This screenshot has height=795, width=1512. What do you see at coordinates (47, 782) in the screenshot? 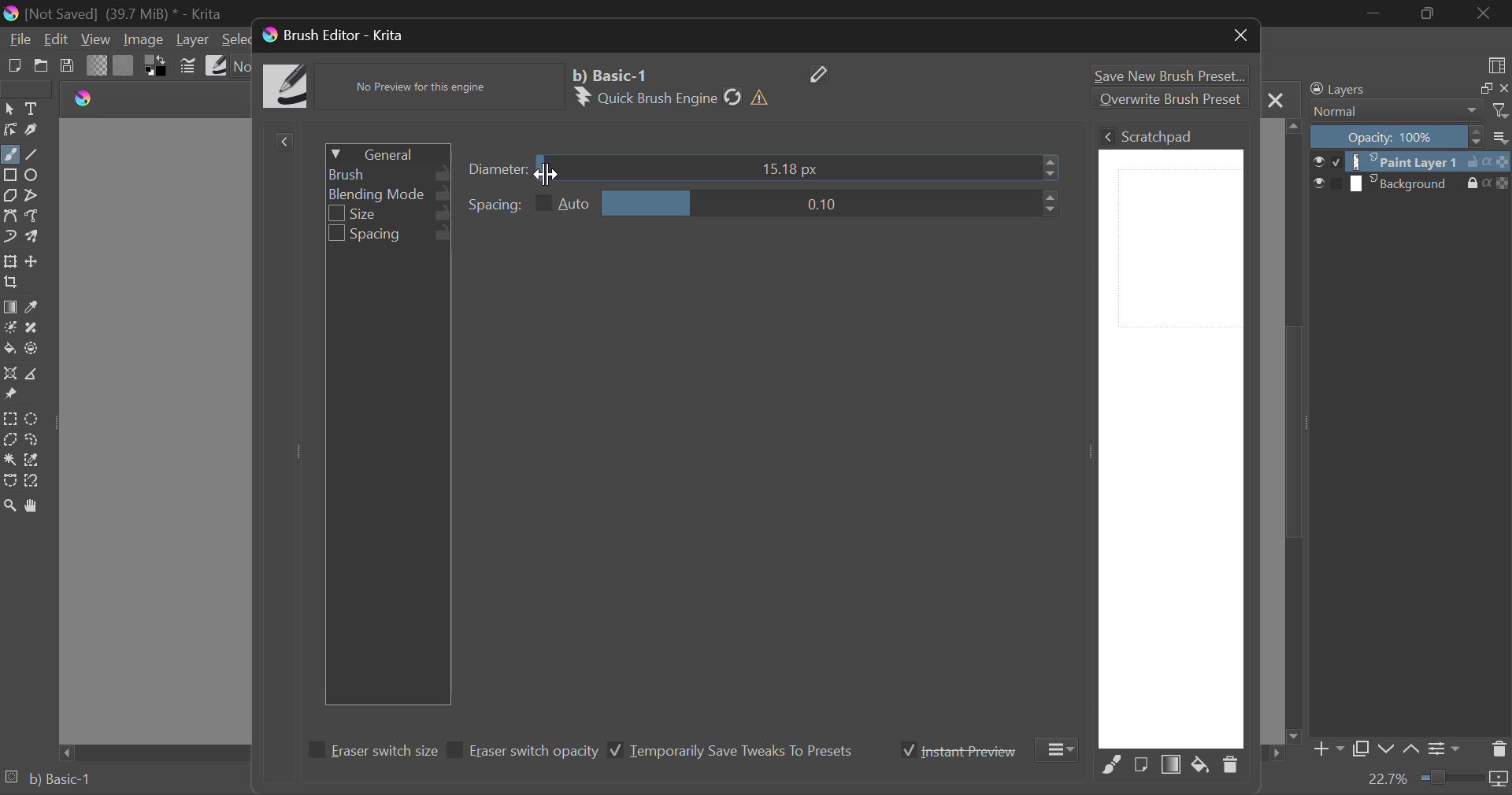
I see `Brush Preset Selected` at bounding box center [47, 782].